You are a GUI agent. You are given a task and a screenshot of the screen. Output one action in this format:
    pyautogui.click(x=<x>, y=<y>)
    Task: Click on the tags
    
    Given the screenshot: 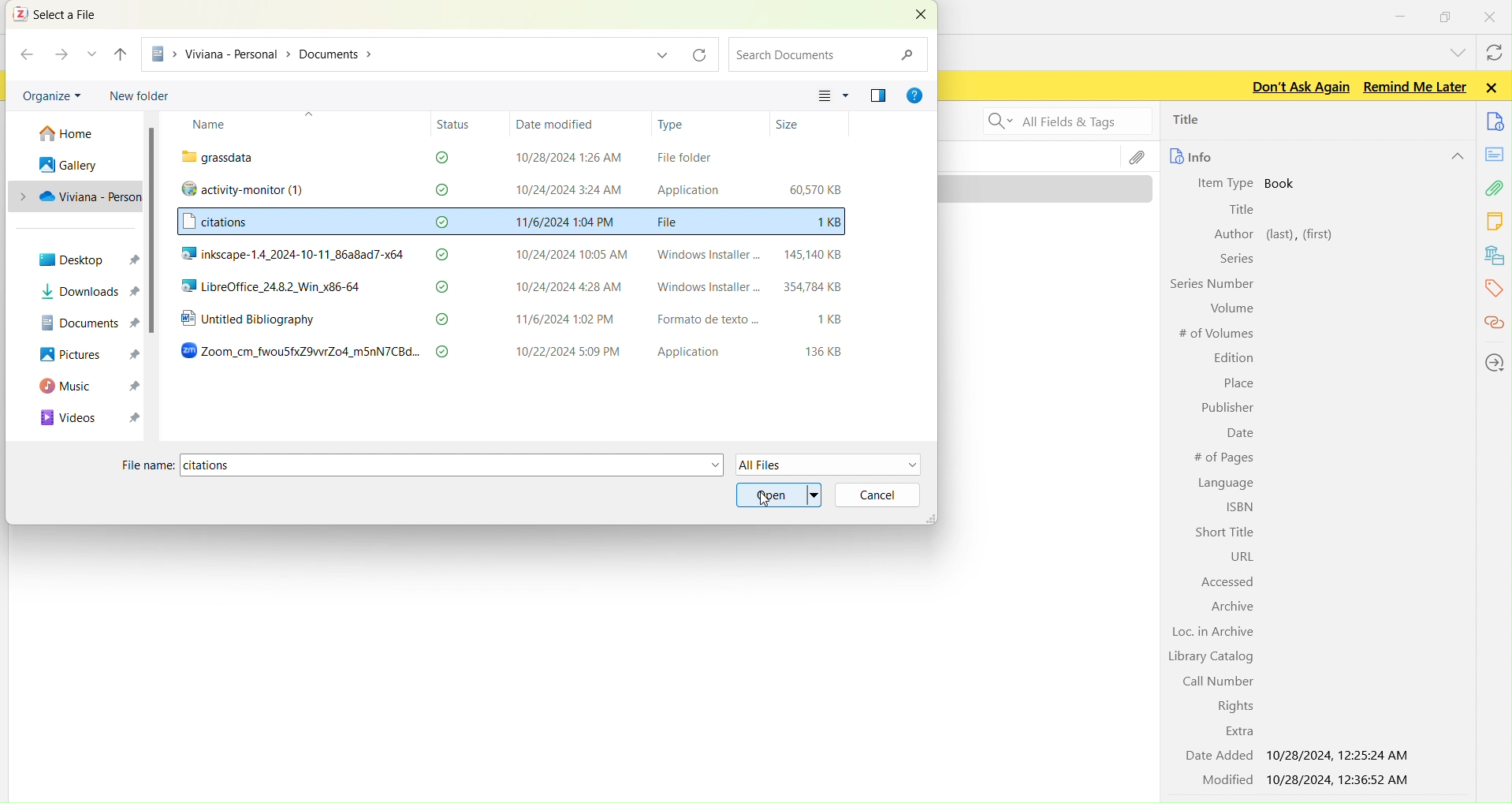 What is the action you would take?
    pyautogui.click(x=1495, y=288)
    